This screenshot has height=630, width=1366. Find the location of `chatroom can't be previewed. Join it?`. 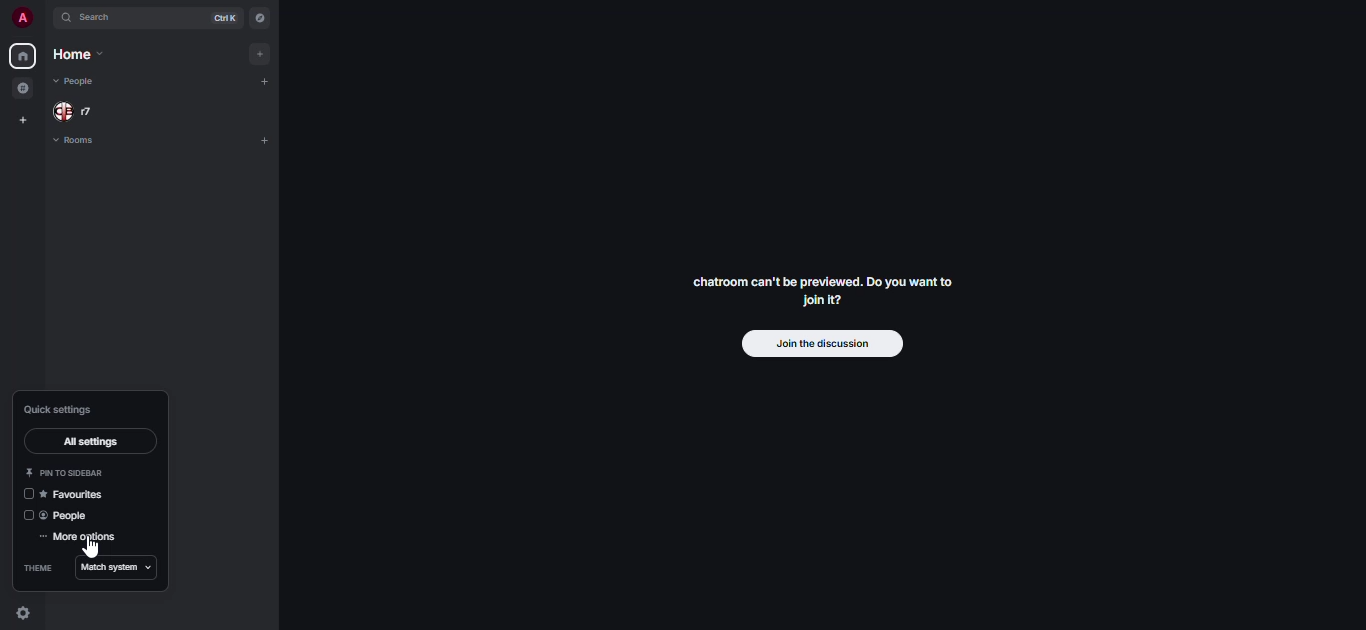

chatroom can't be previewed. Join it? is located at coordinates (826, 289).